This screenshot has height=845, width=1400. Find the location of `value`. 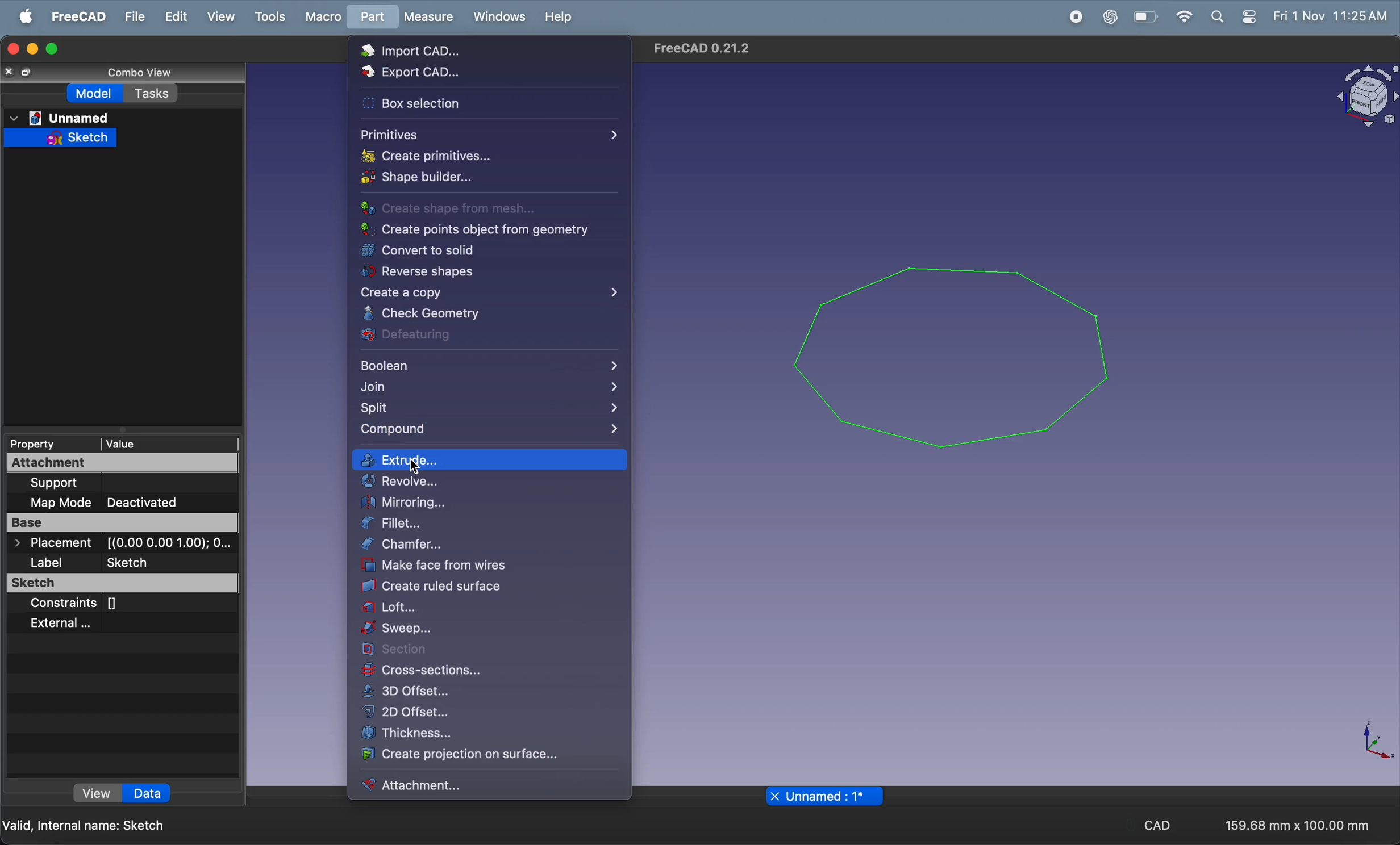

value is located at coordinates (168, 444).